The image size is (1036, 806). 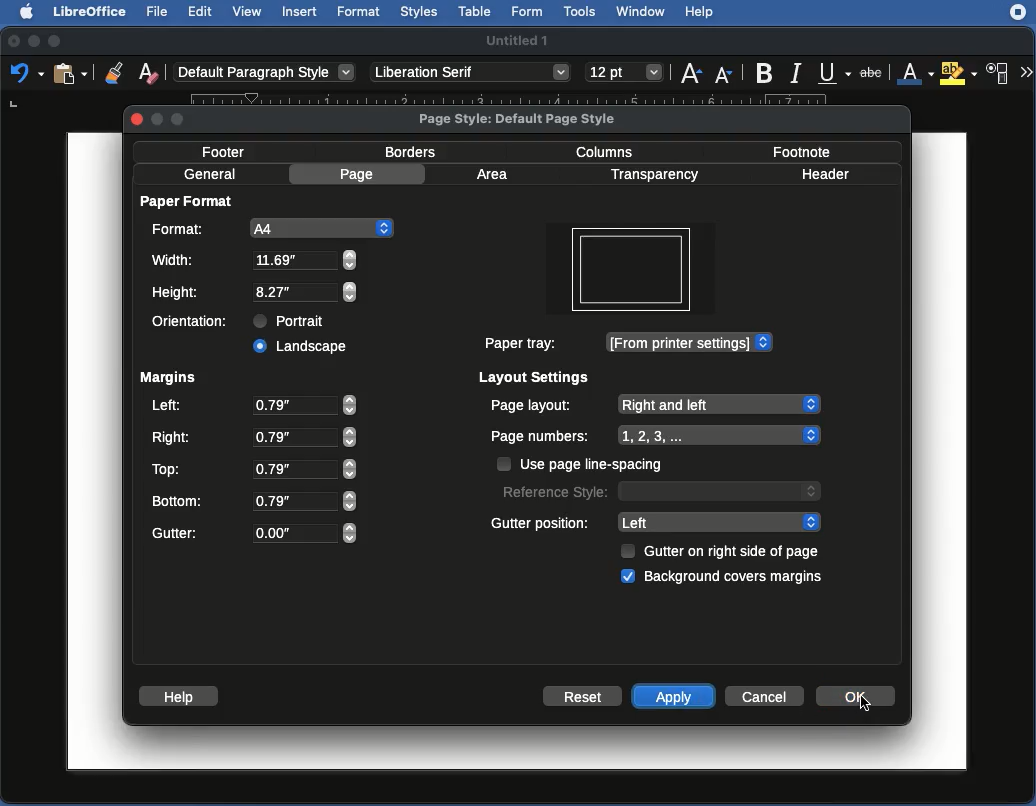 I want to click on Font color, so click(x=914, y=70).